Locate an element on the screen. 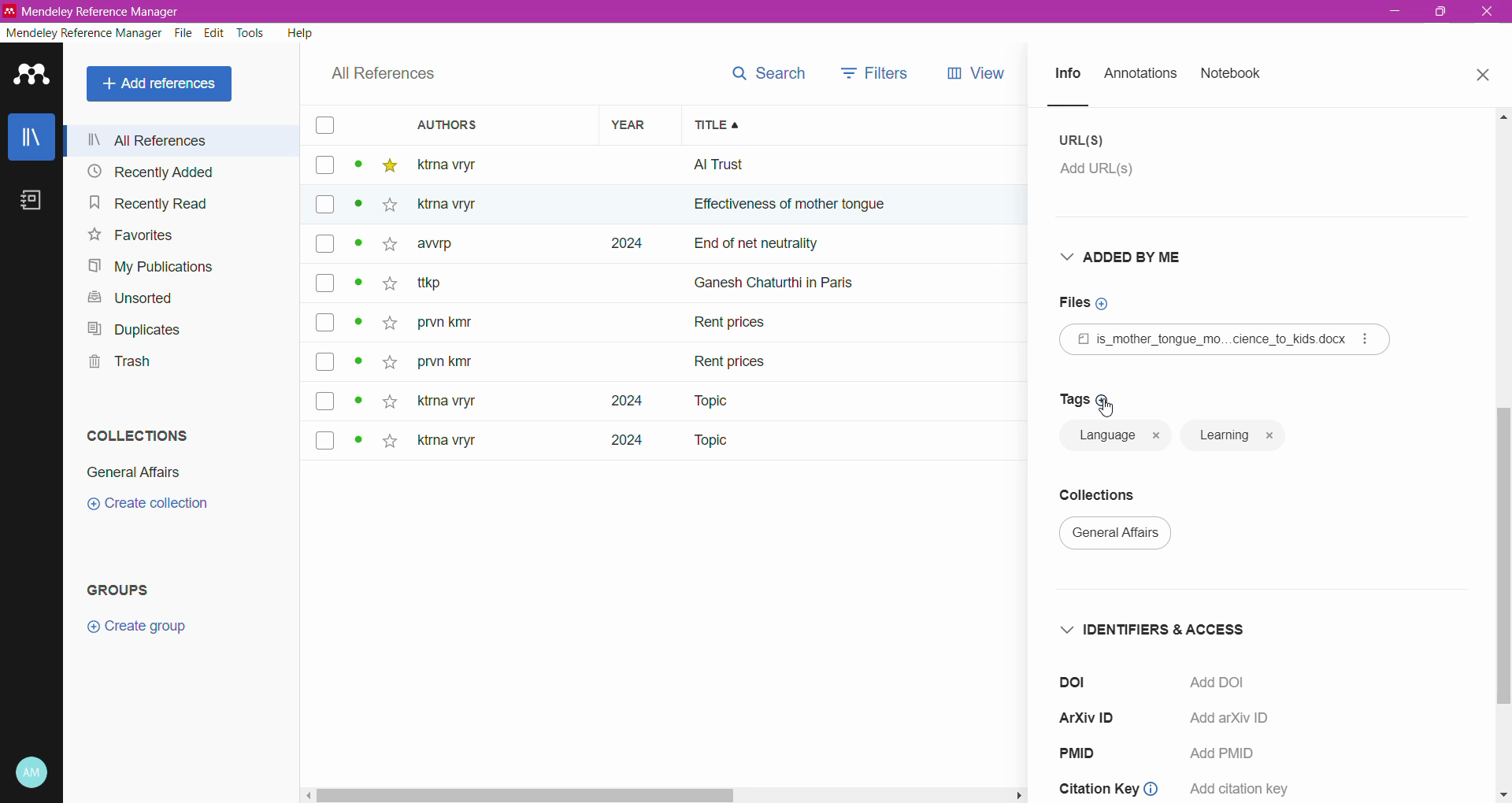 The height and width of the screenshot is (803, 1512). Create group is located at coordinates (136, 627).